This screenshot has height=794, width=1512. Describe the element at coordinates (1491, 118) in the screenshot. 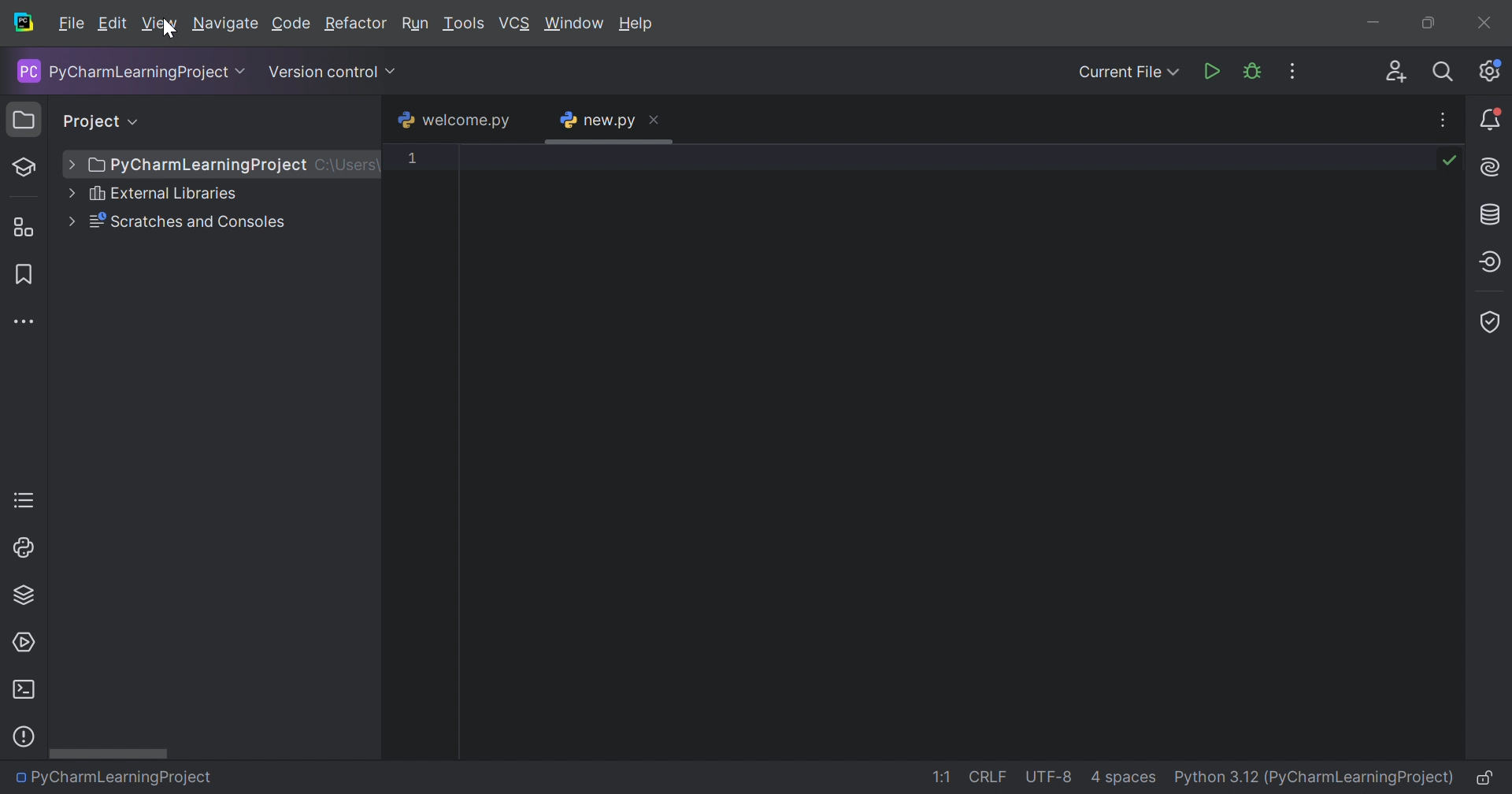

I see `Updates available` at that location.